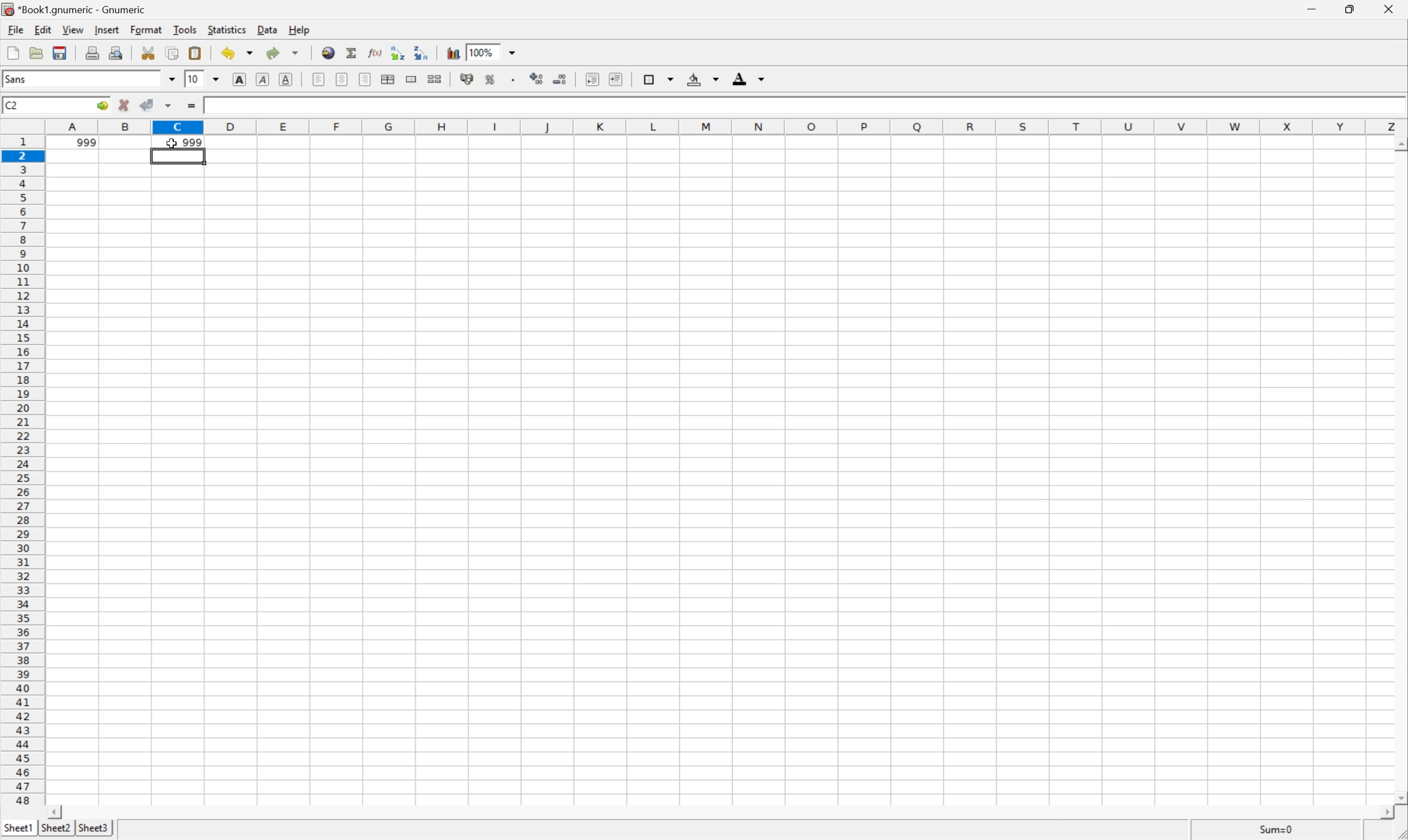  What do you see at coordinates (452, 53) in the screenshot?
I see `insert chart` at bounding box center [452, 53].